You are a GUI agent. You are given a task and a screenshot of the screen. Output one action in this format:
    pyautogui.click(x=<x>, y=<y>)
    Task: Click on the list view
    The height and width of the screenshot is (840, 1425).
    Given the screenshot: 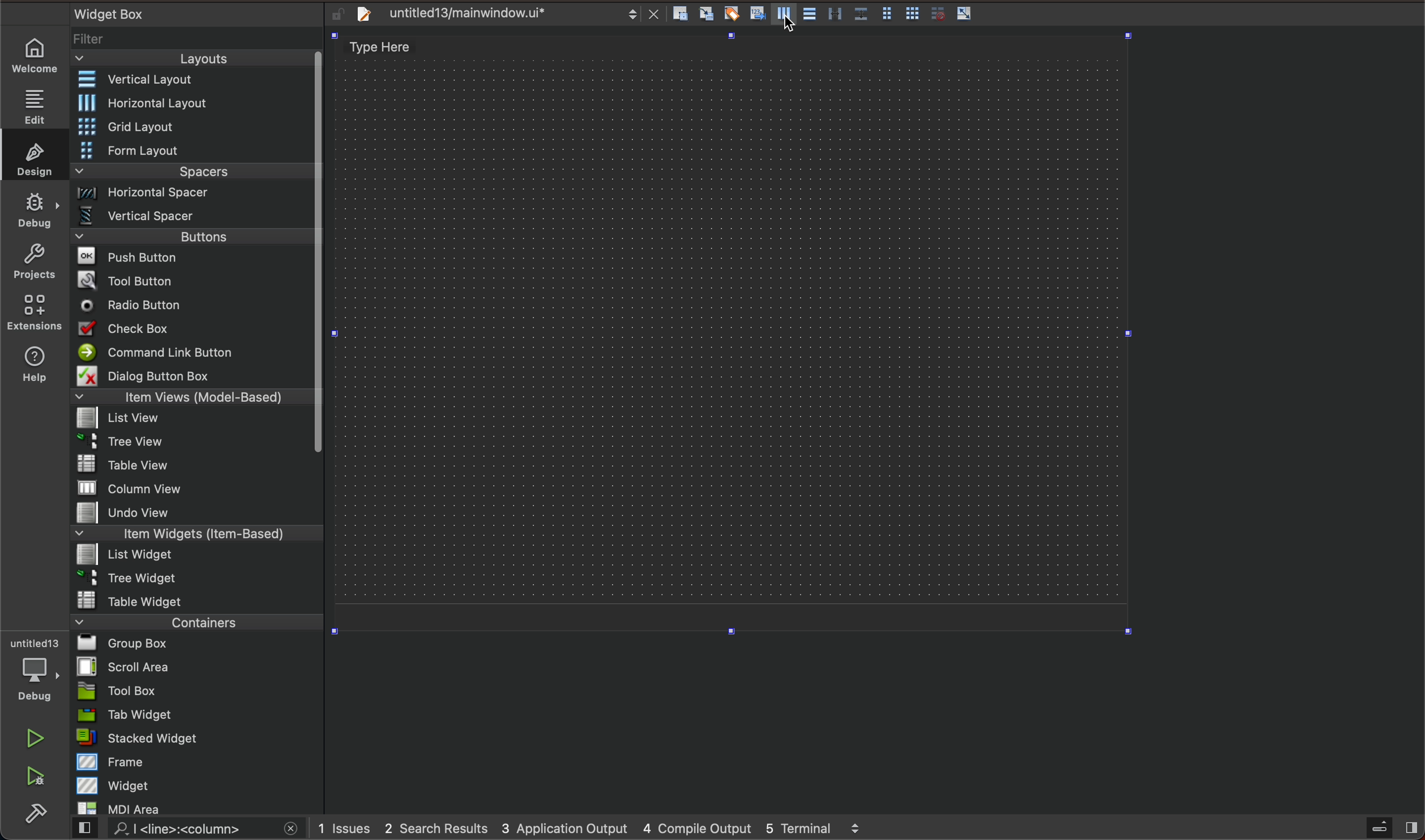 What is the action you would take?
    pyautogui.click(x=191, y=419)
    